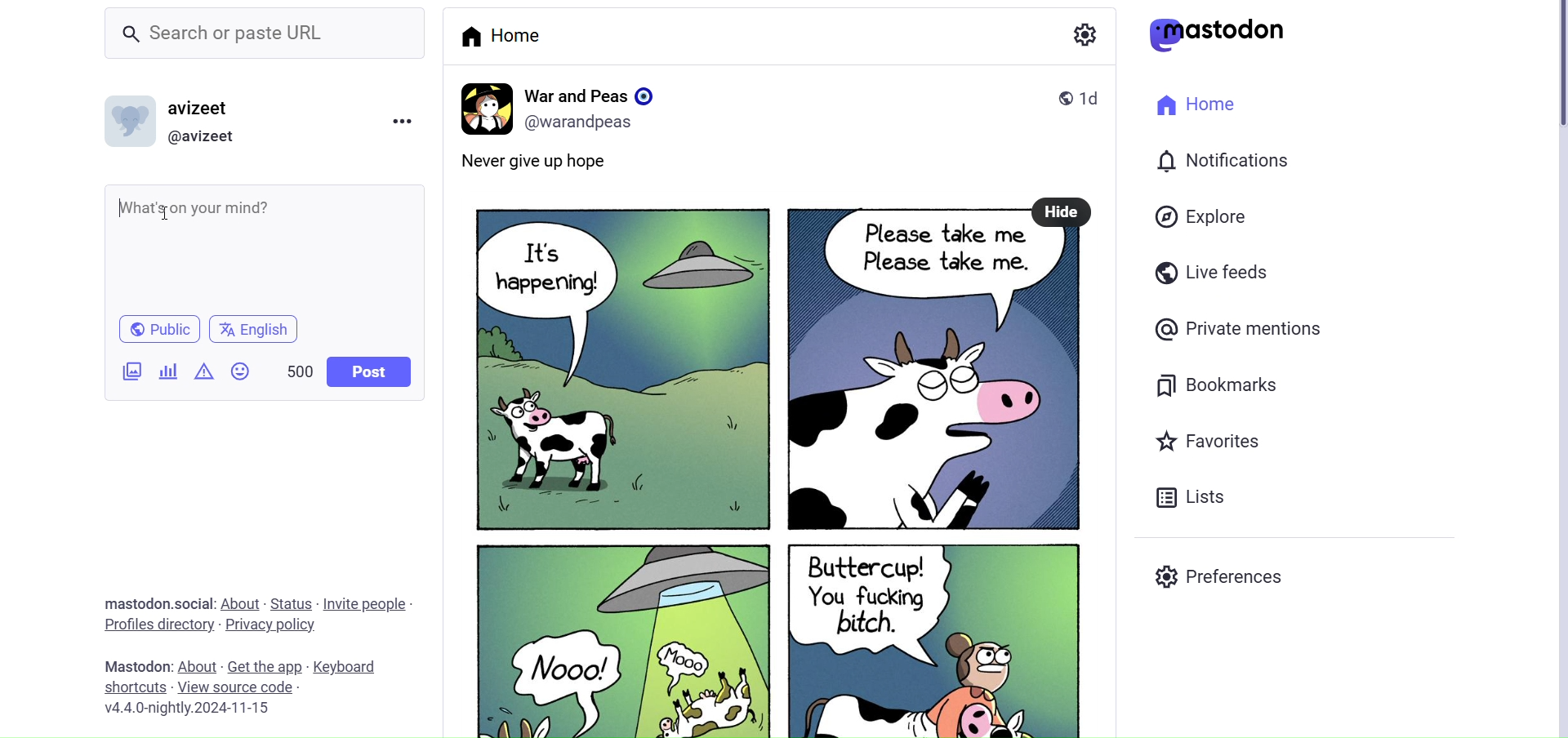 The width and height of the screenshot is (1568, 738). Describe the element at coordinates (202, 107) in the screenshot. I see `avizeet` at that location.